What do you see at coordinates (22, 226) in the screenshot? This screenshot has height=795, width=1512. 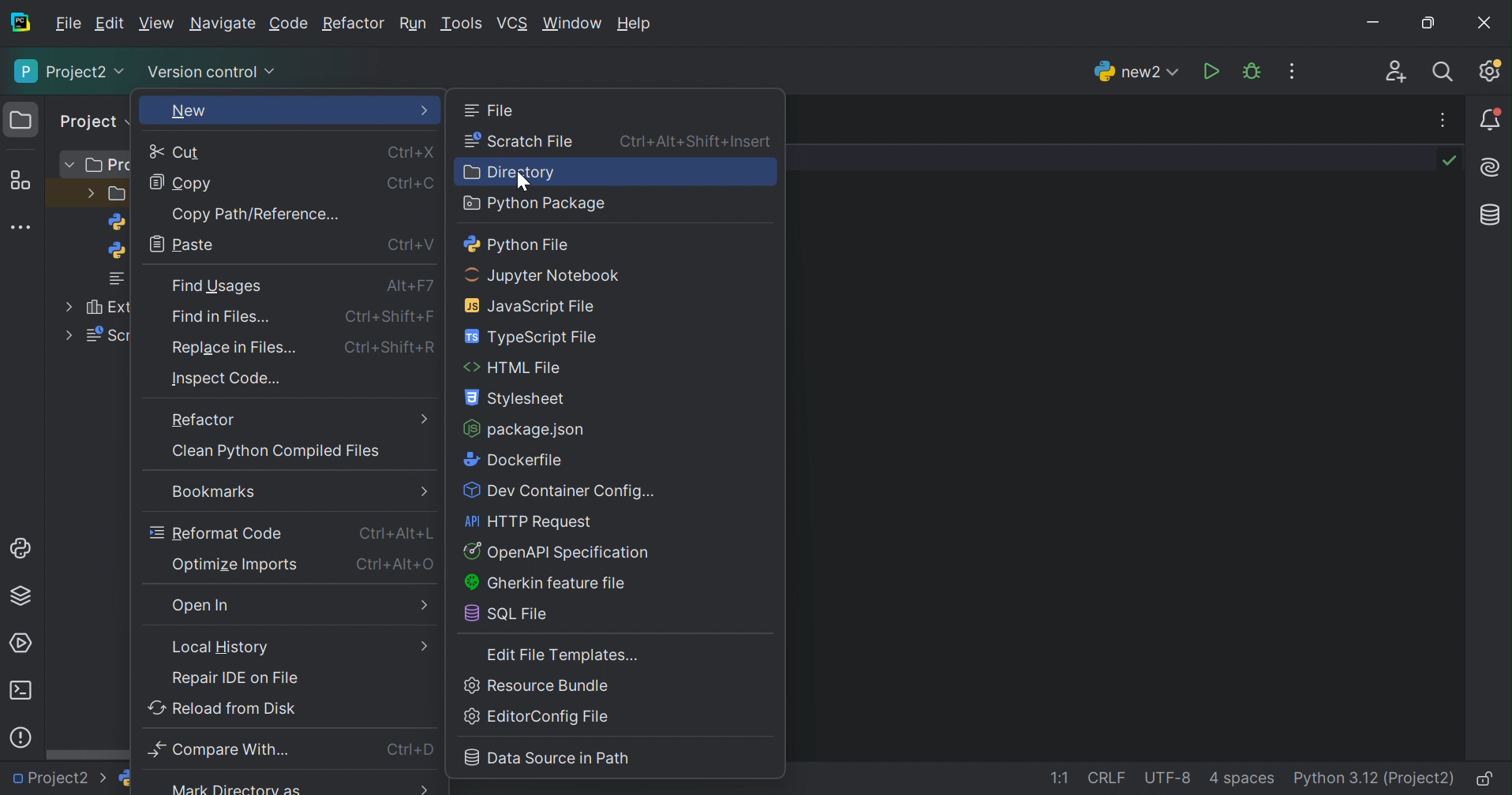 I see `More tool windows` at bounding box center [22, 226].